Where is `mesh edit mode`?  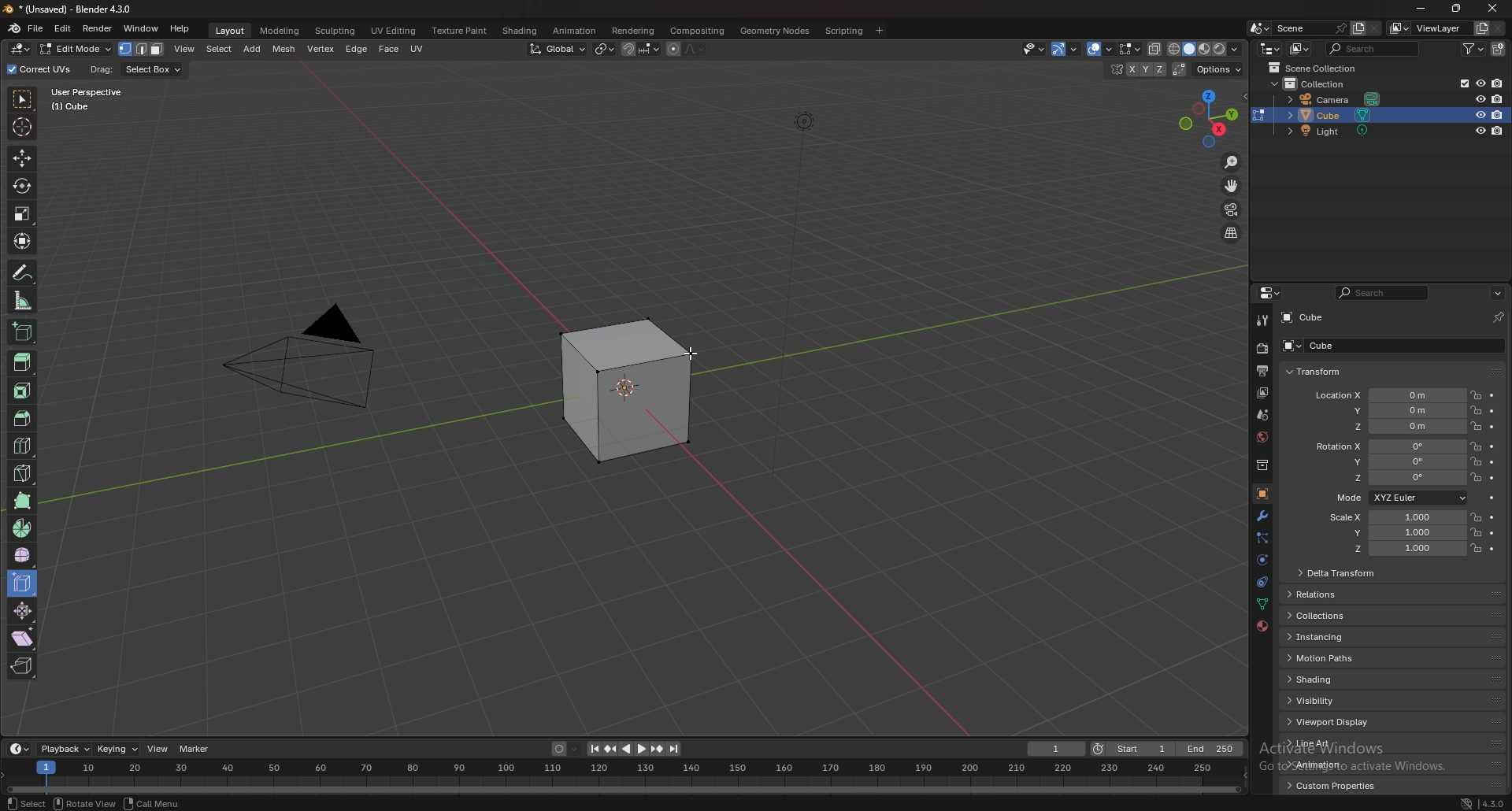 mesh edit mode is located at coordinates (1128, 50).